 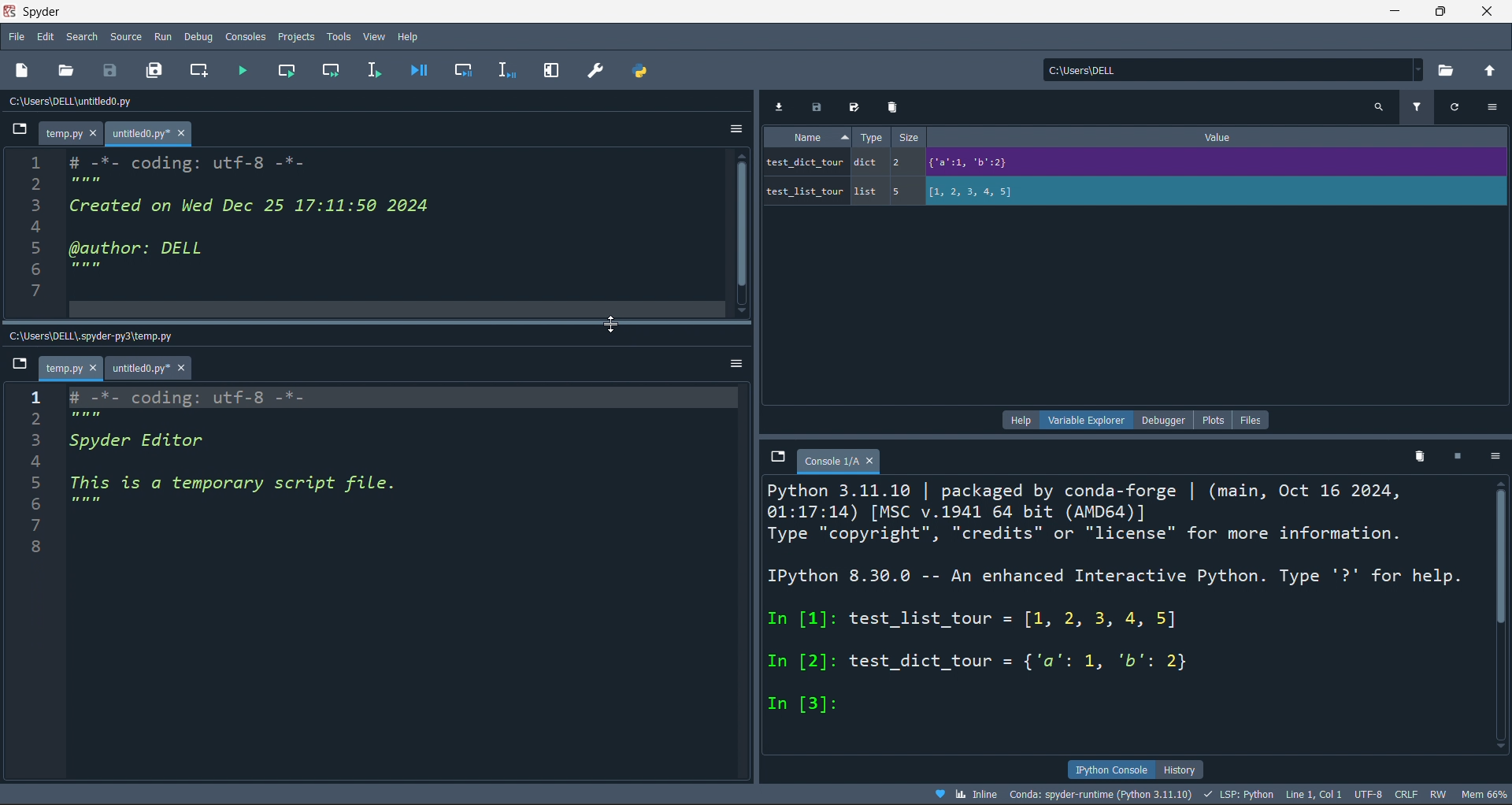 I want to click on MEM 64%, so click(x=1488, y=793).